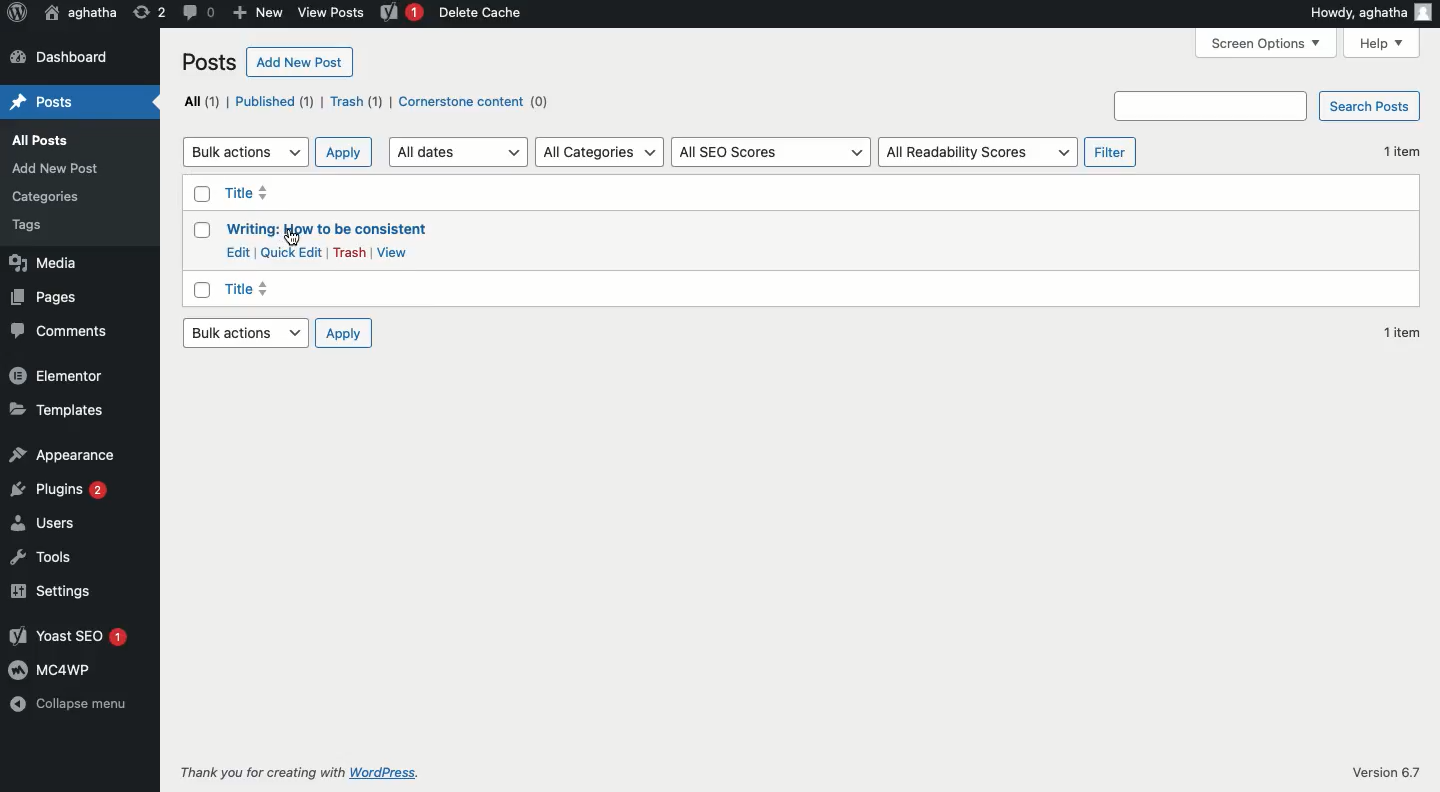 This screenshot has height=792, width=1440. I want to click on 1 item, so click(1403, 156).